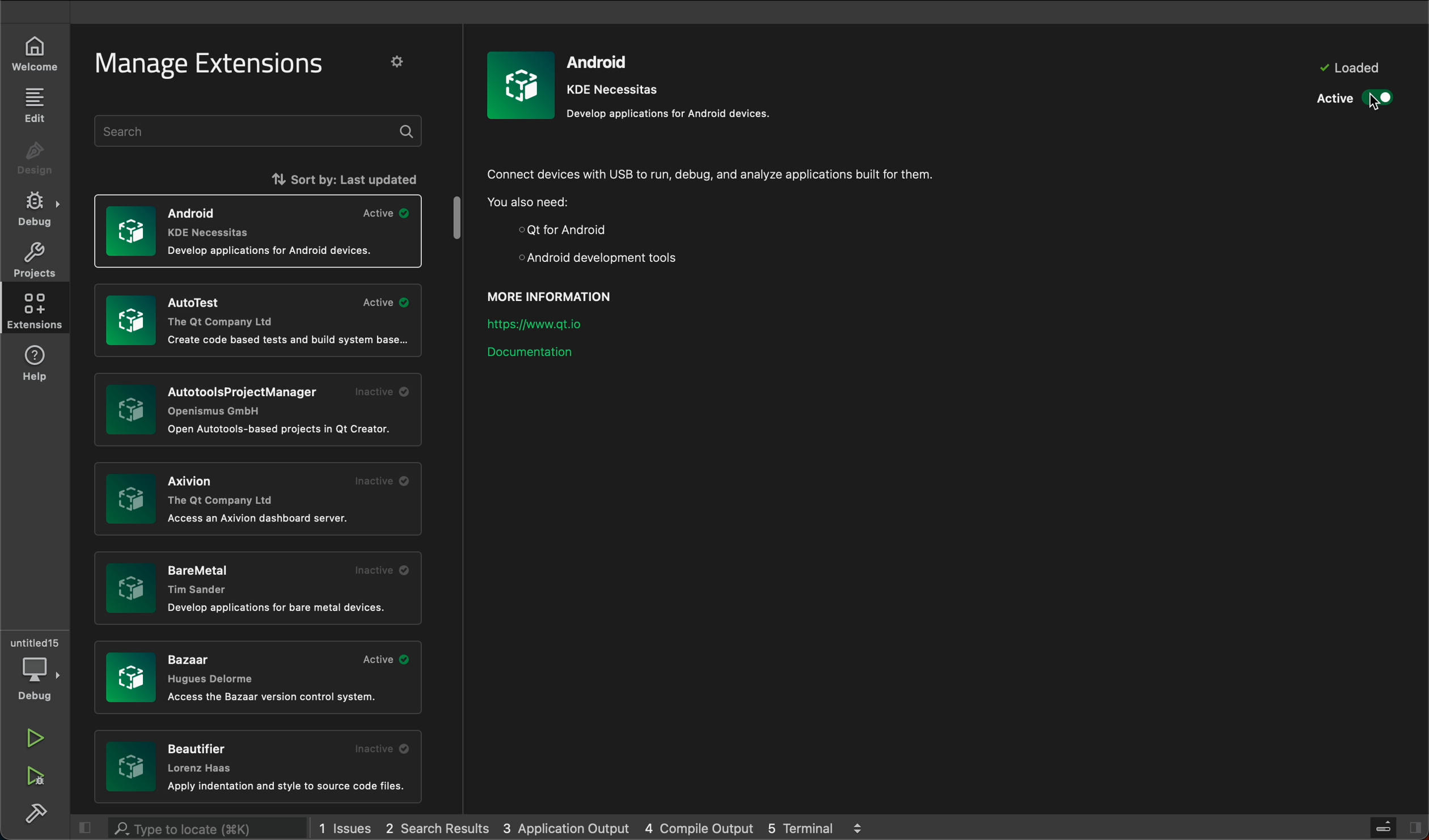 This screenshot has height=840, width=1429. I want to click on extensions list, so click(259, 679).